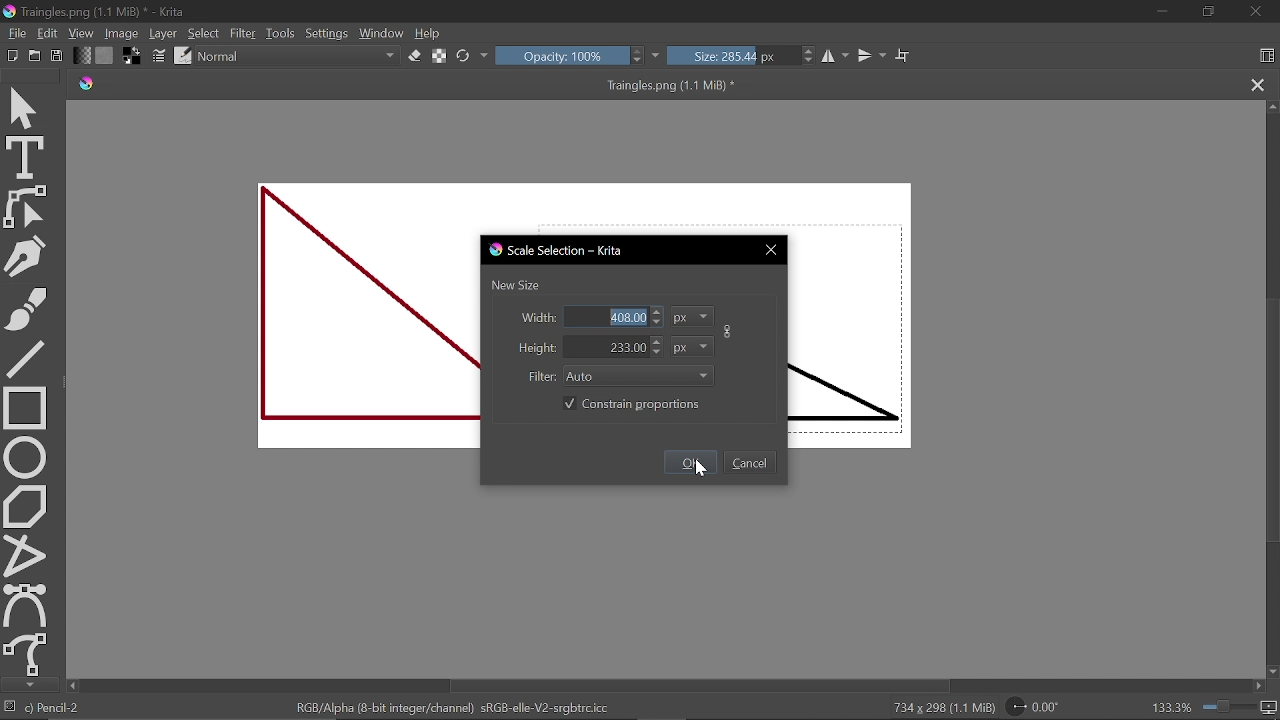 The image size is (1280, 720). Describe the element at coordinates (430, 34) in the screenshot. I see `Help` at that location.